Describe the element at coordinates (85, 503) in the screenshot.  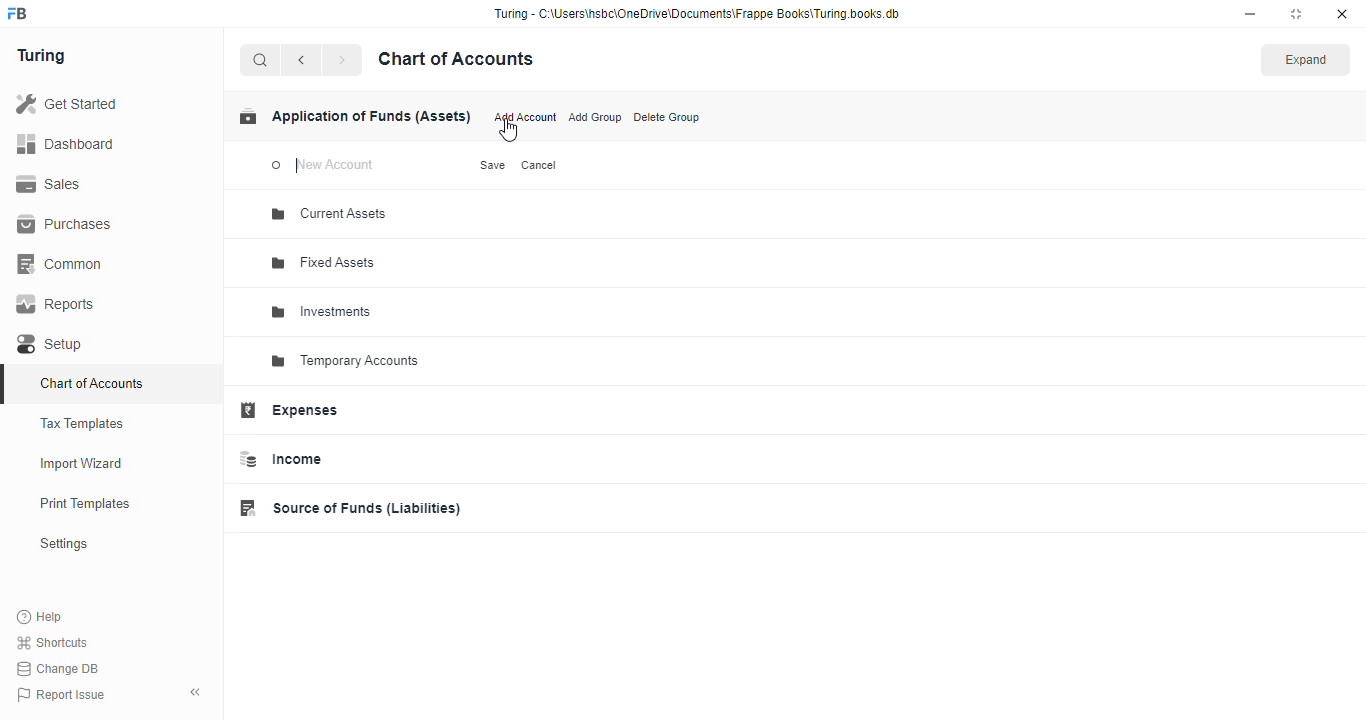
I see `print templates` at that location.